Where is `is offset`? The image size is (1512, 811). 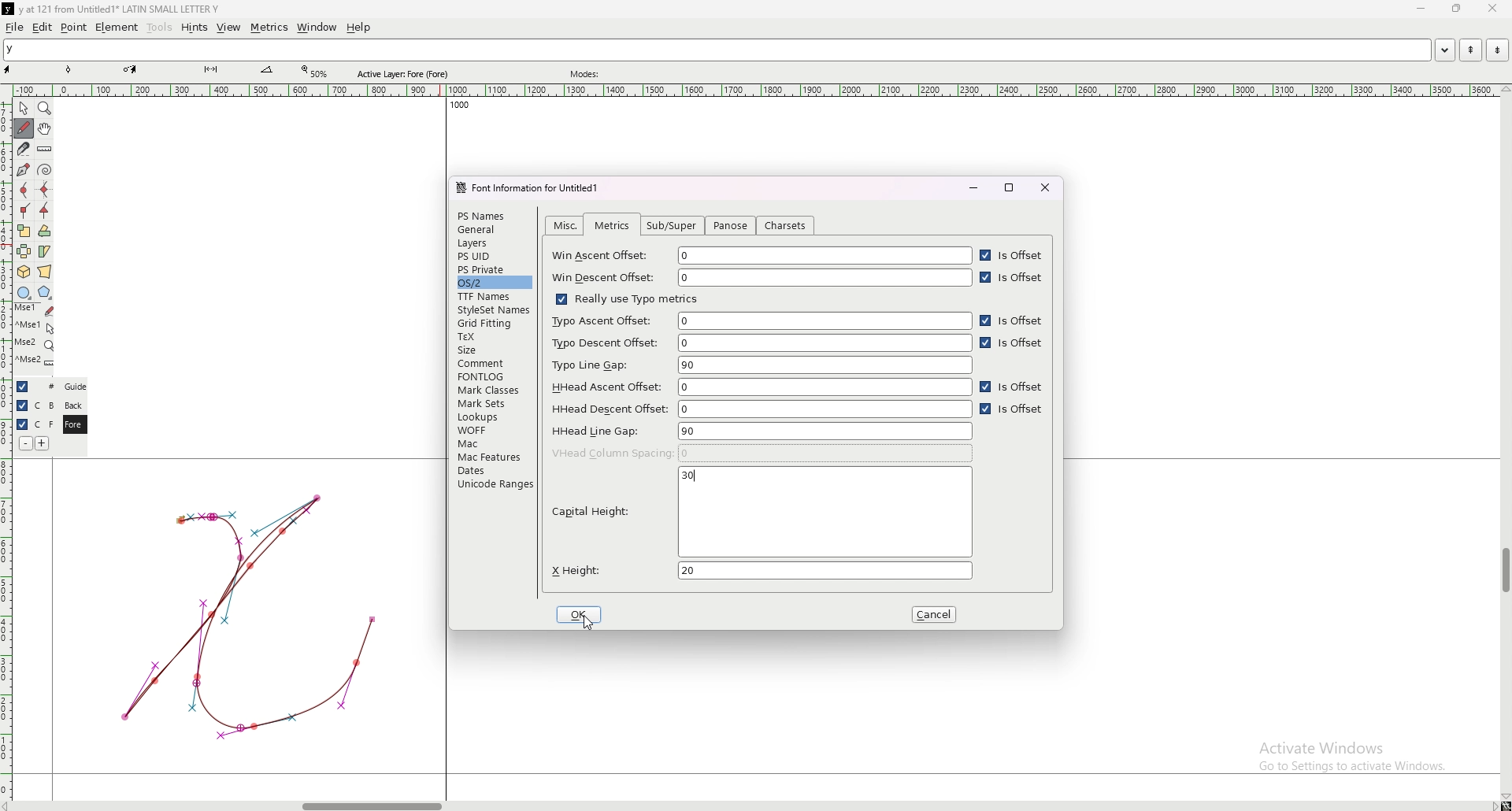
is offset is located at coordinates (1013, 388).